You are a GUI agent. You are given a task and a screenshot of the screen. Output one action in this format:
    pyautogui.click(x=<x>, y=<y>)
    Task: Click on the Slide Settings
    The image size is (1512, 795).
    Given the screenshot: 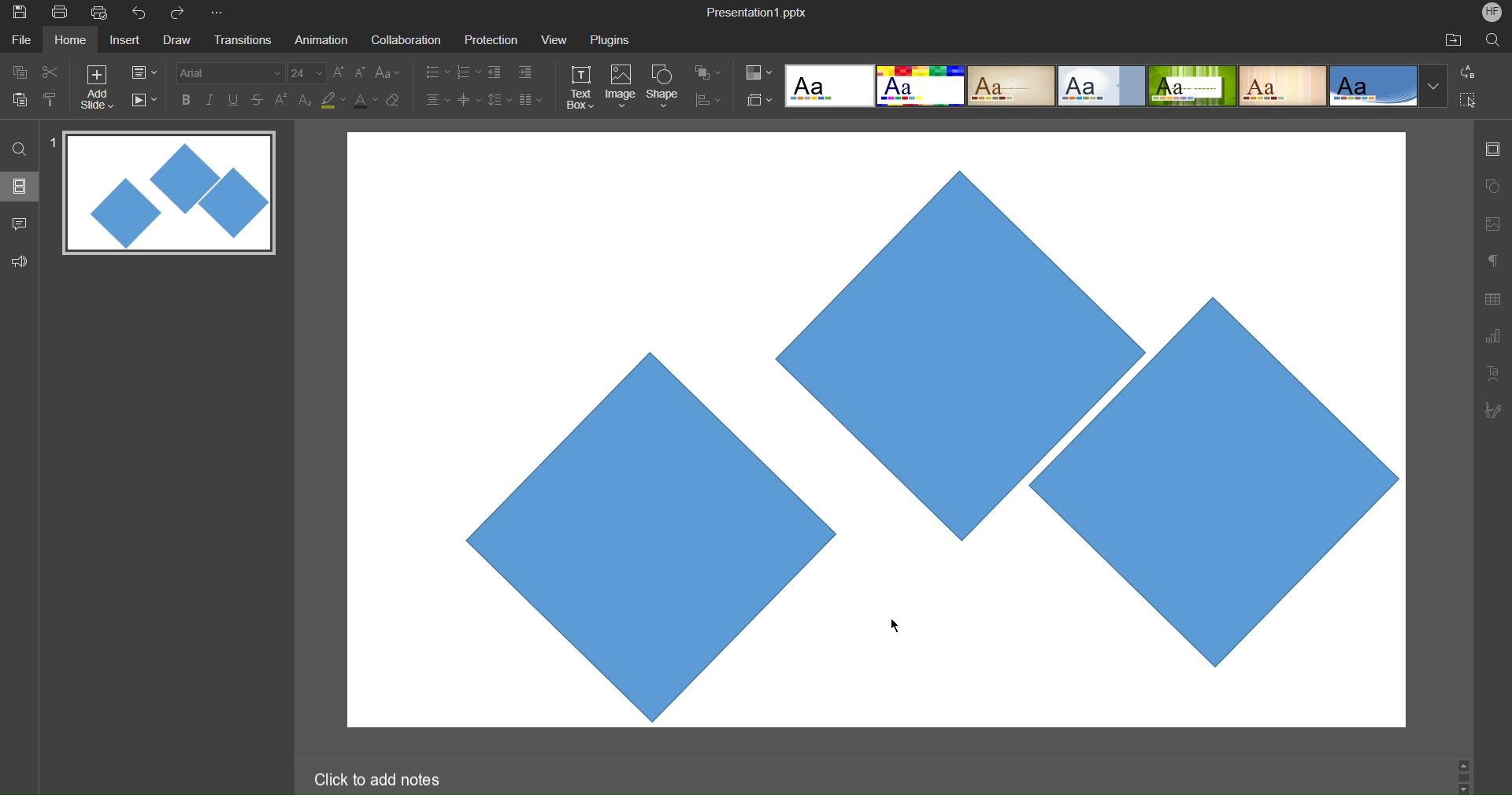 What is the action you would take?
    pyautogui.click(x=144, y=72)
    